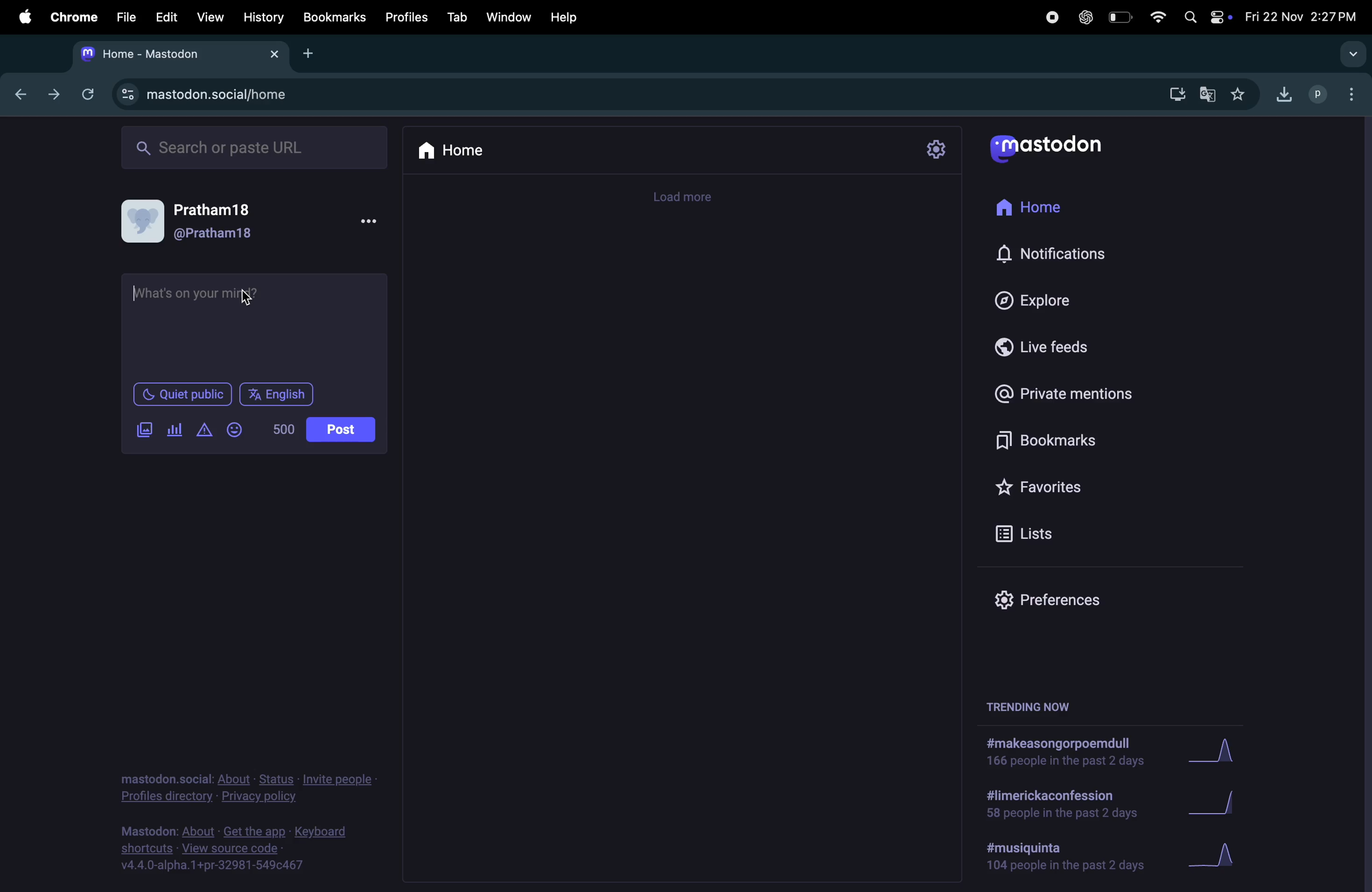  What do you see at coordinates (142, 222) in the screenshot?
I see `user profile` at bounding box center [142, 222].